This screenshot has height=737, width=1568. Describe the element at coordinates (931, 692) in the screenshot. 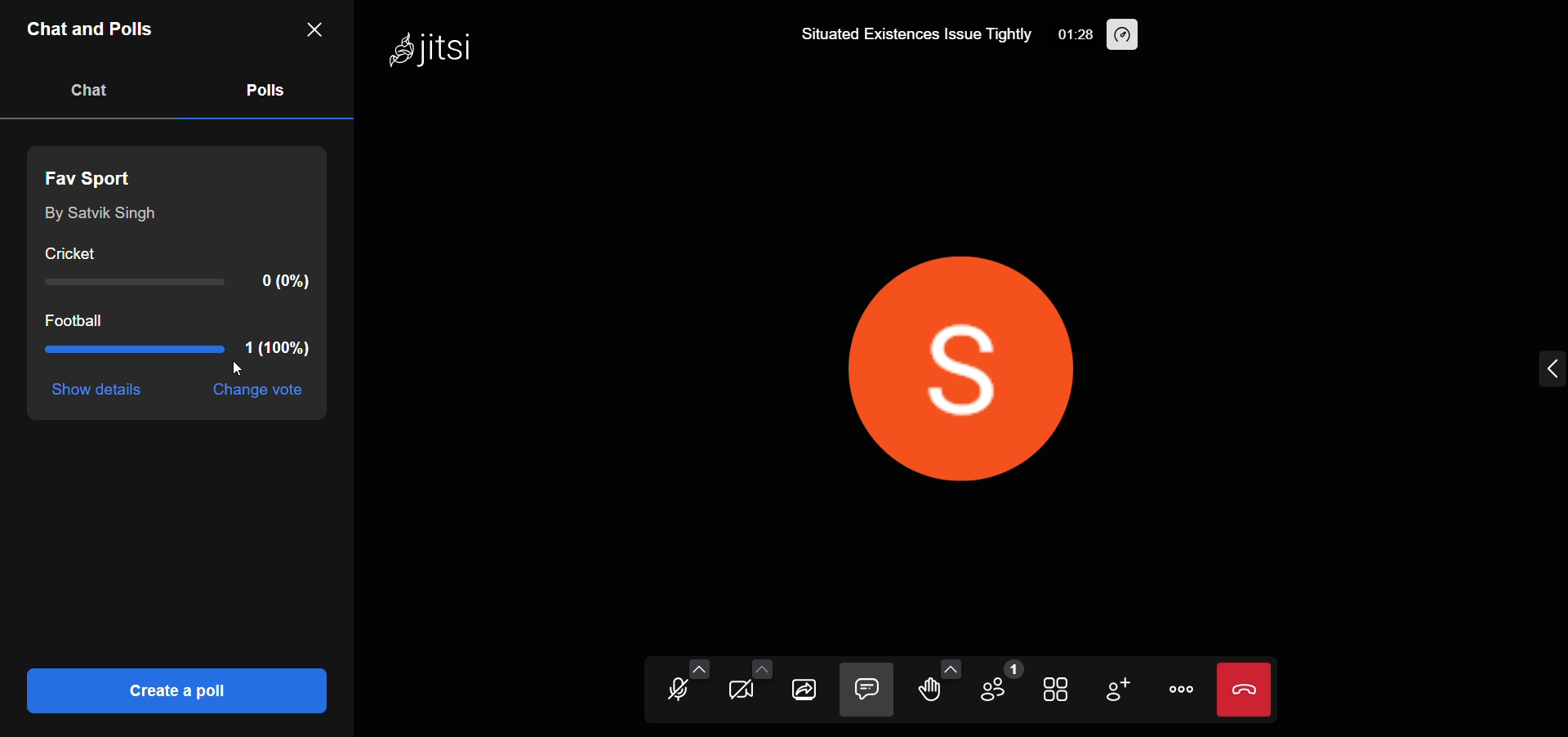

I see `raise hand` at that location.